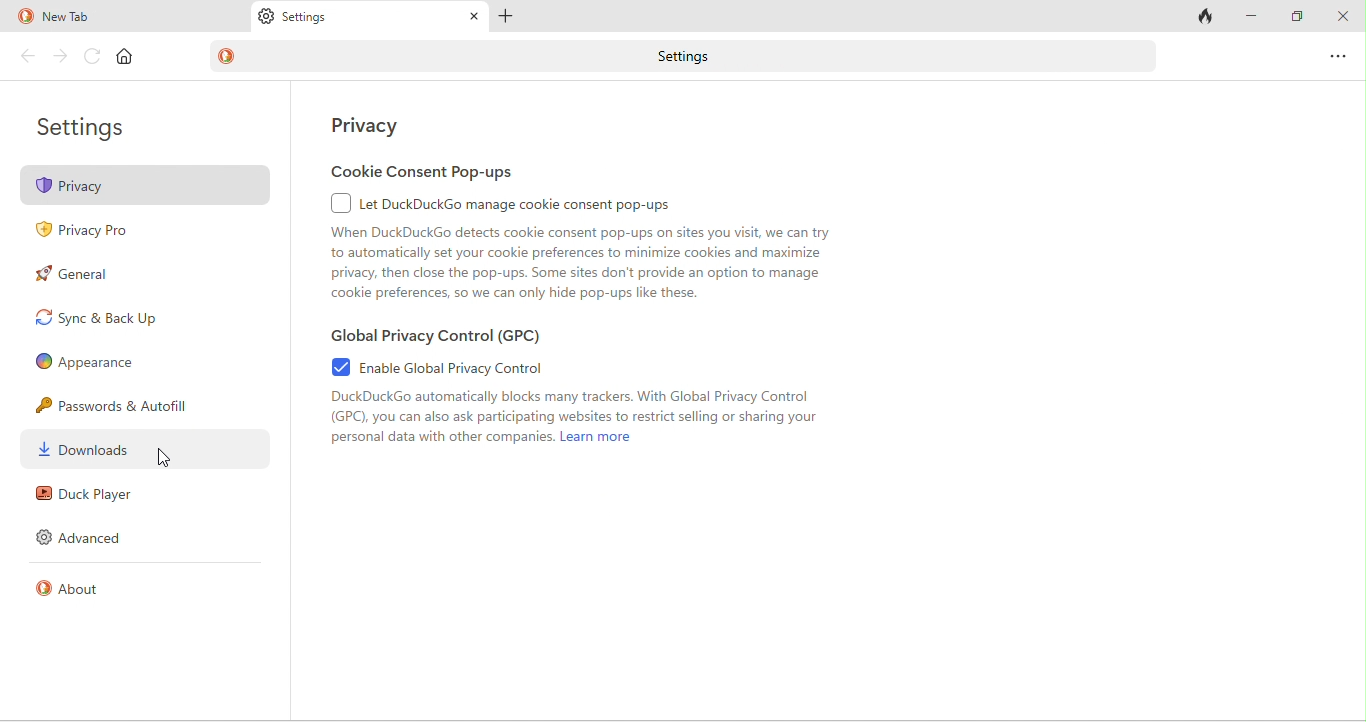 This screenshot has height=722, width=1366. Describe the element at coordinates (146, 185) in the screenshot. I see `privacy` at that location.